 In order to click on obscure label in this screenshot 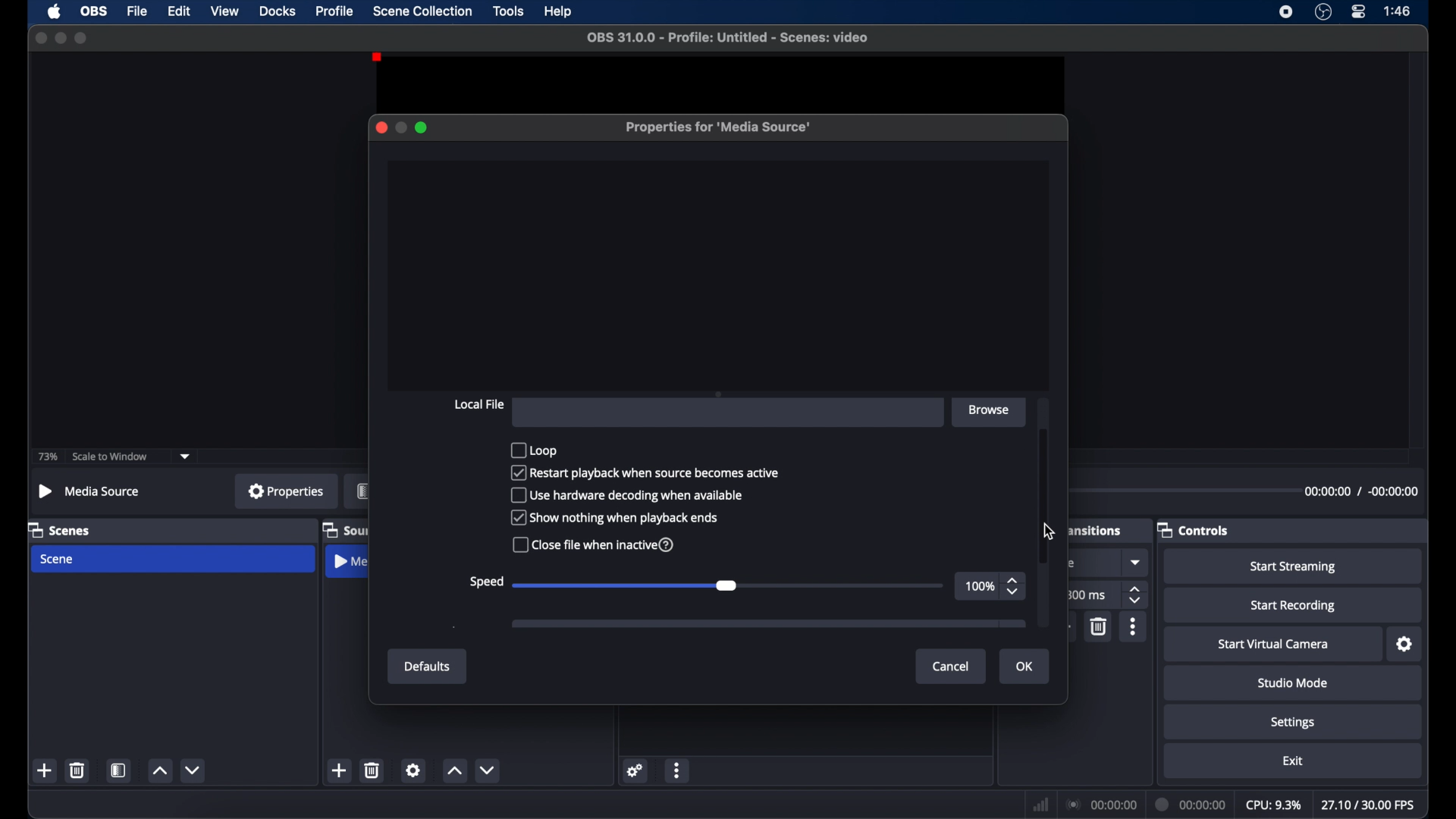, I will do `click(1096, 529)`.